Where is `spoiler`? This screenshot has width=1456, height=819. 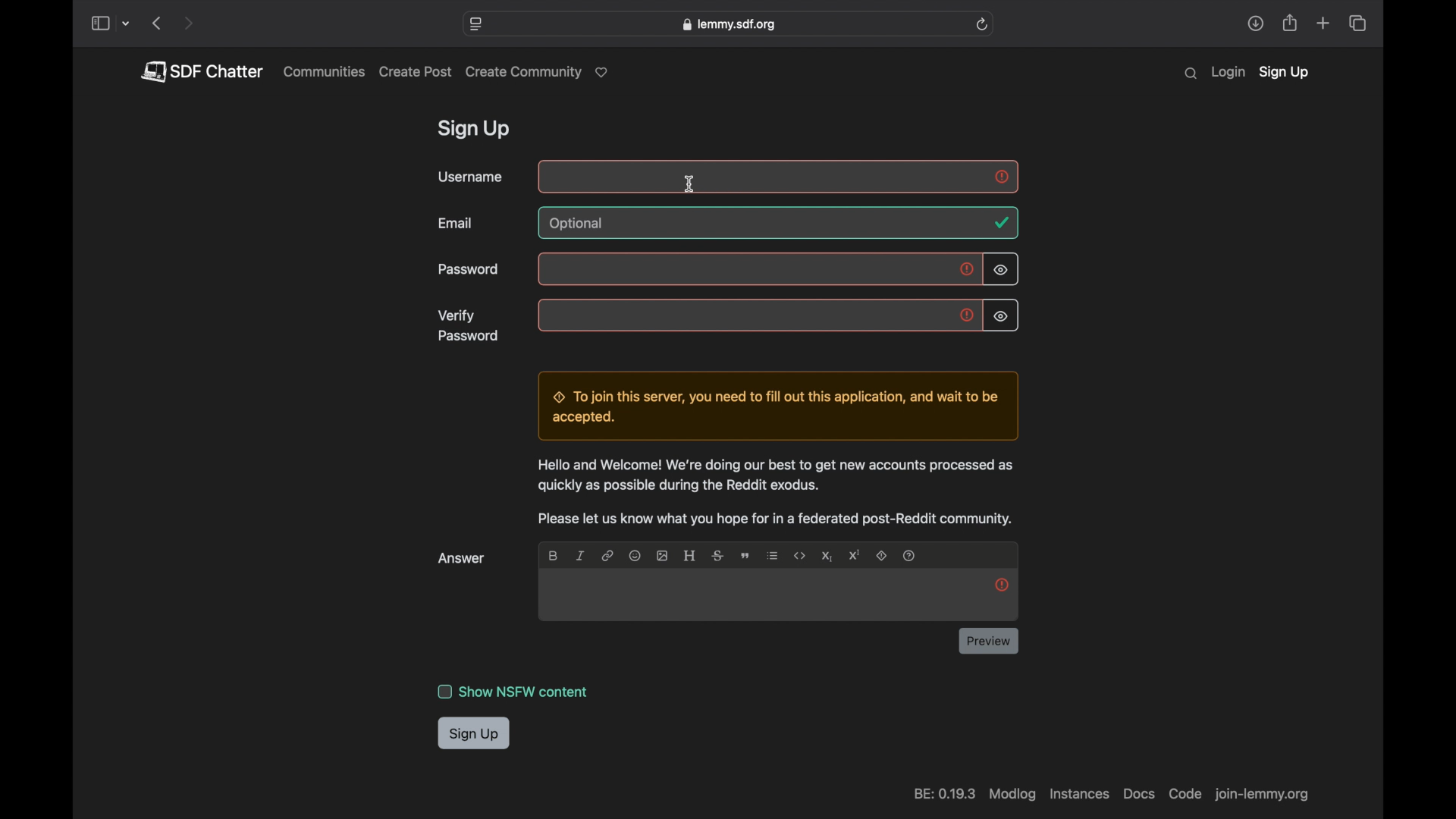 spoiler is located at coordinates (883, 557).